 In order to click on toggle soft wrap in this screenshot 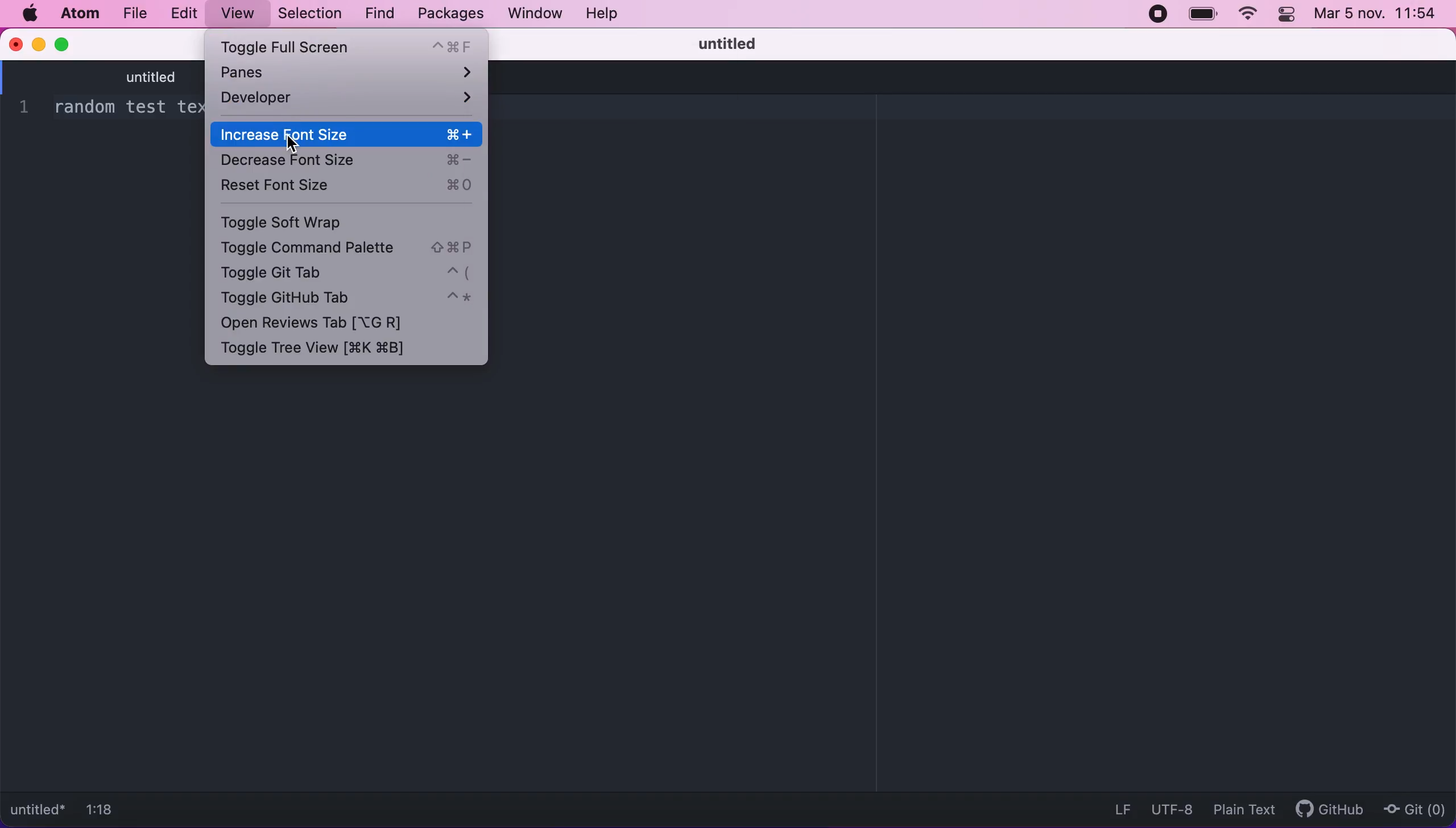, I will do `click(311, 222)`.